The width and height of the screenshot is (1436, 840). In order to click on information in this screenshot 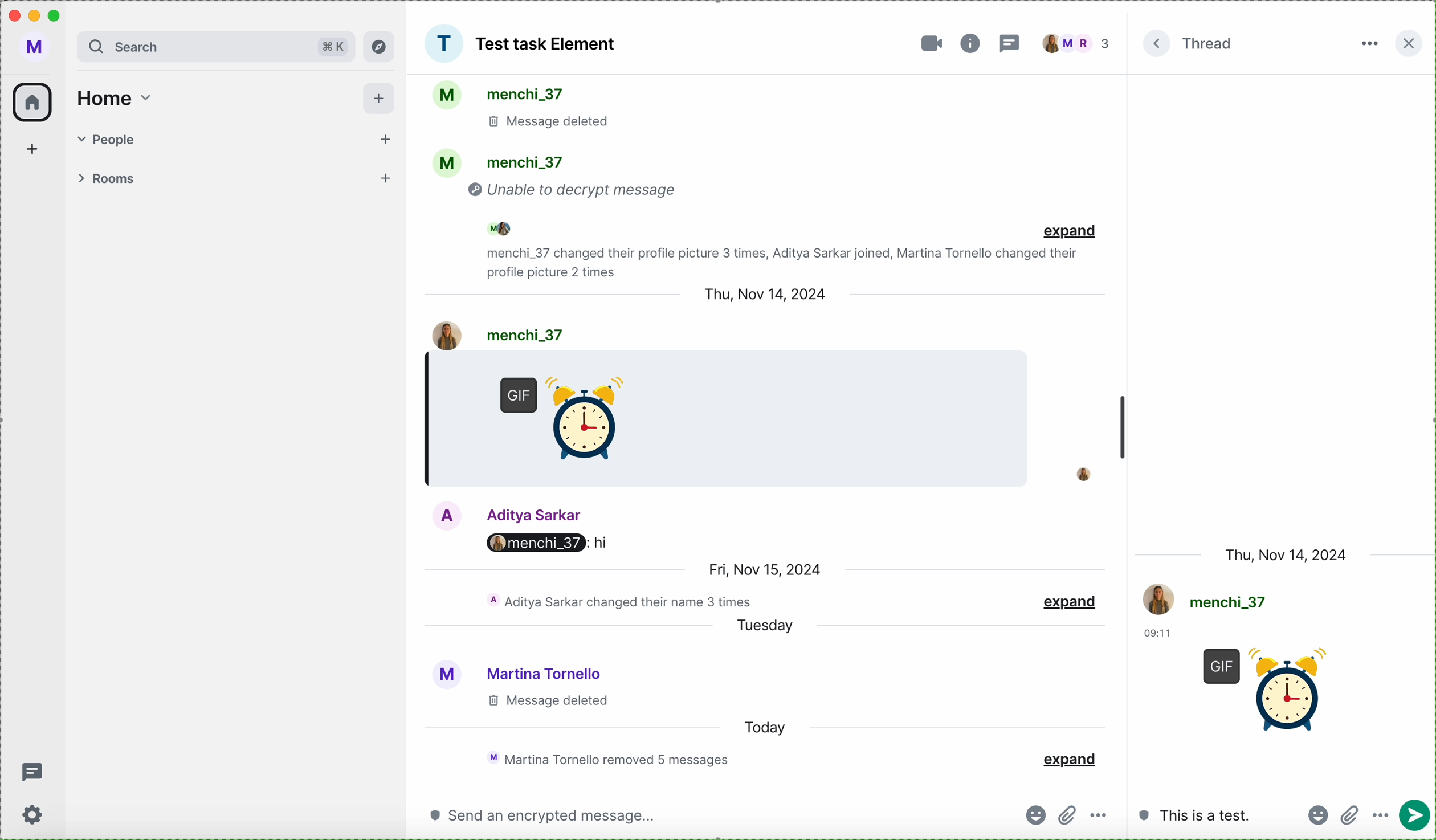, I will do `click(970, 43)`.